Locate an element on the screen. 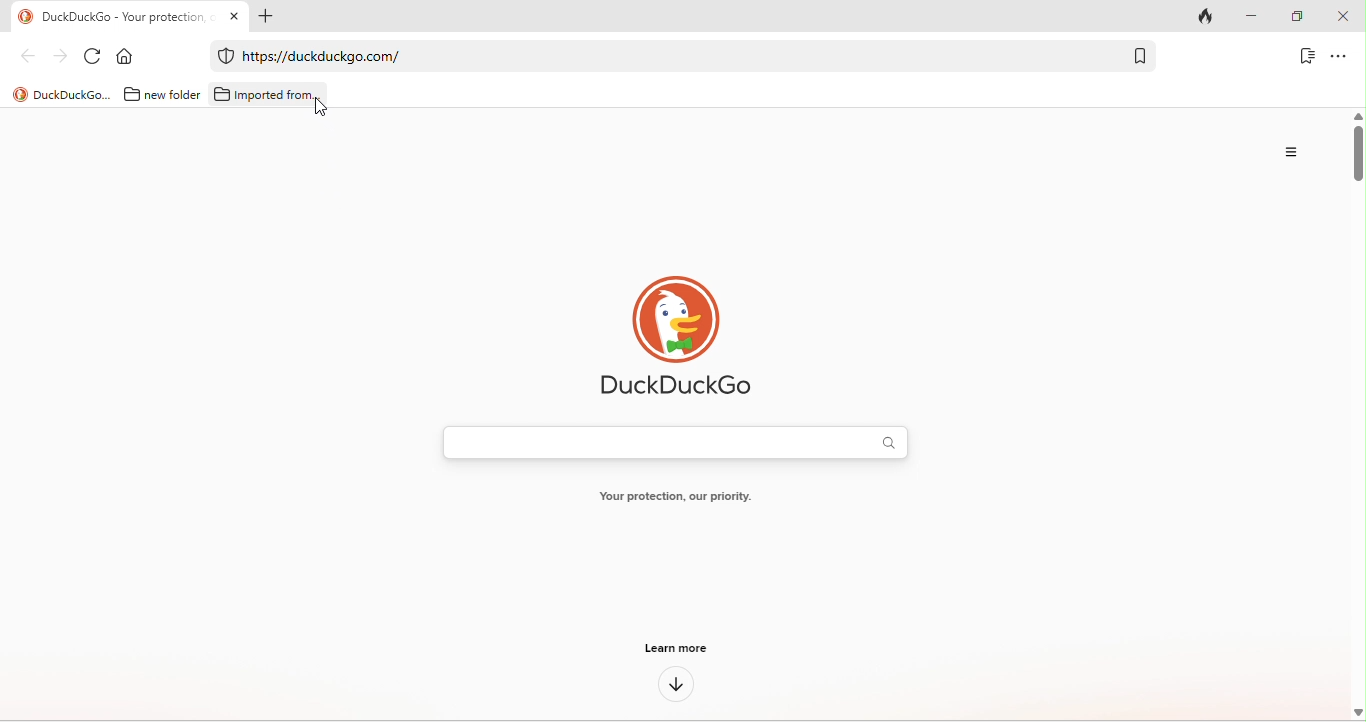 The width and height of the screenshot is (1366, 722). search bar is located at coordinates (670, 442).